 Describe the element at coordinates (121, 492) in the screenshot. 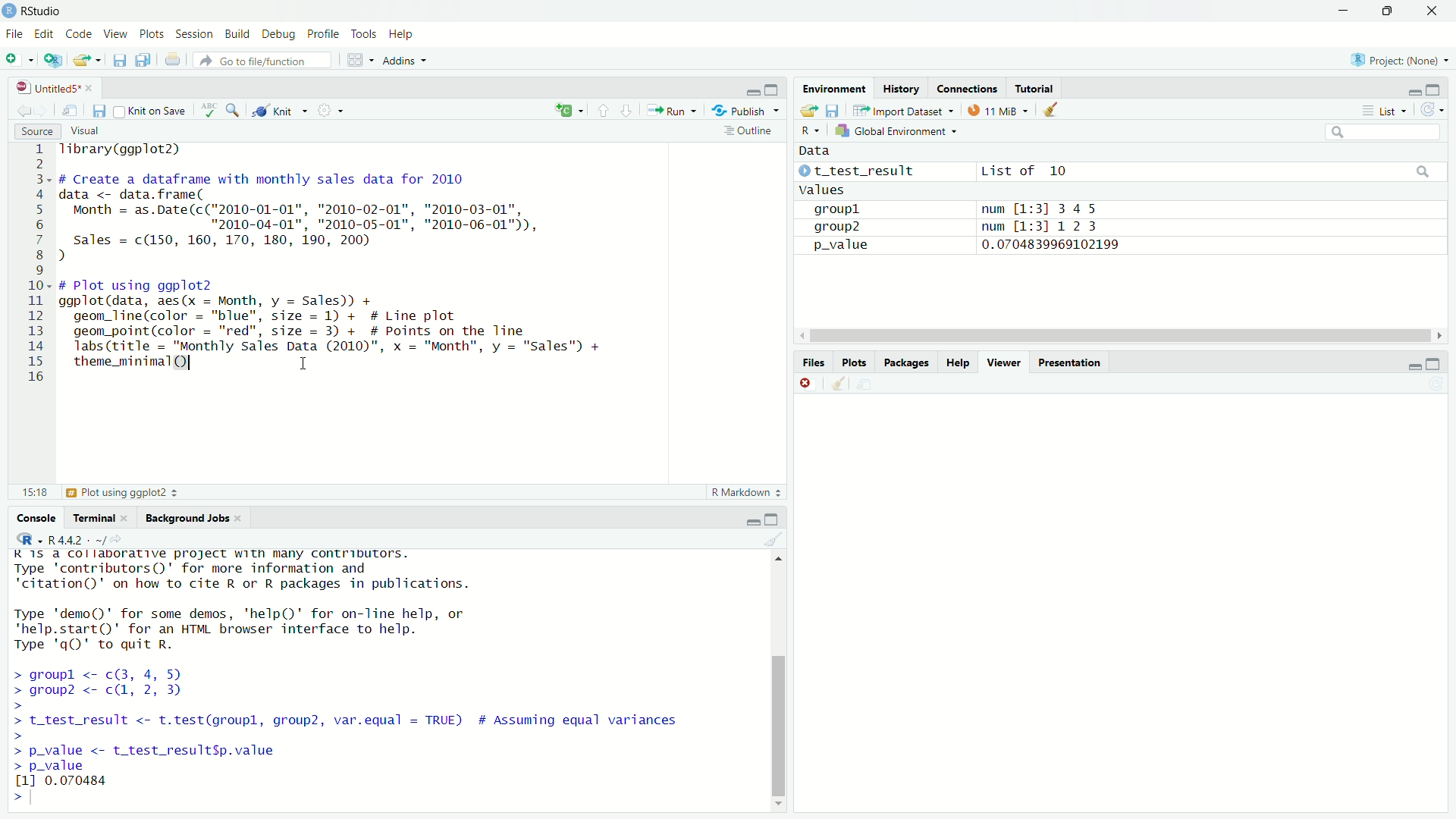

I see `Plot using ggplot2` at that location.